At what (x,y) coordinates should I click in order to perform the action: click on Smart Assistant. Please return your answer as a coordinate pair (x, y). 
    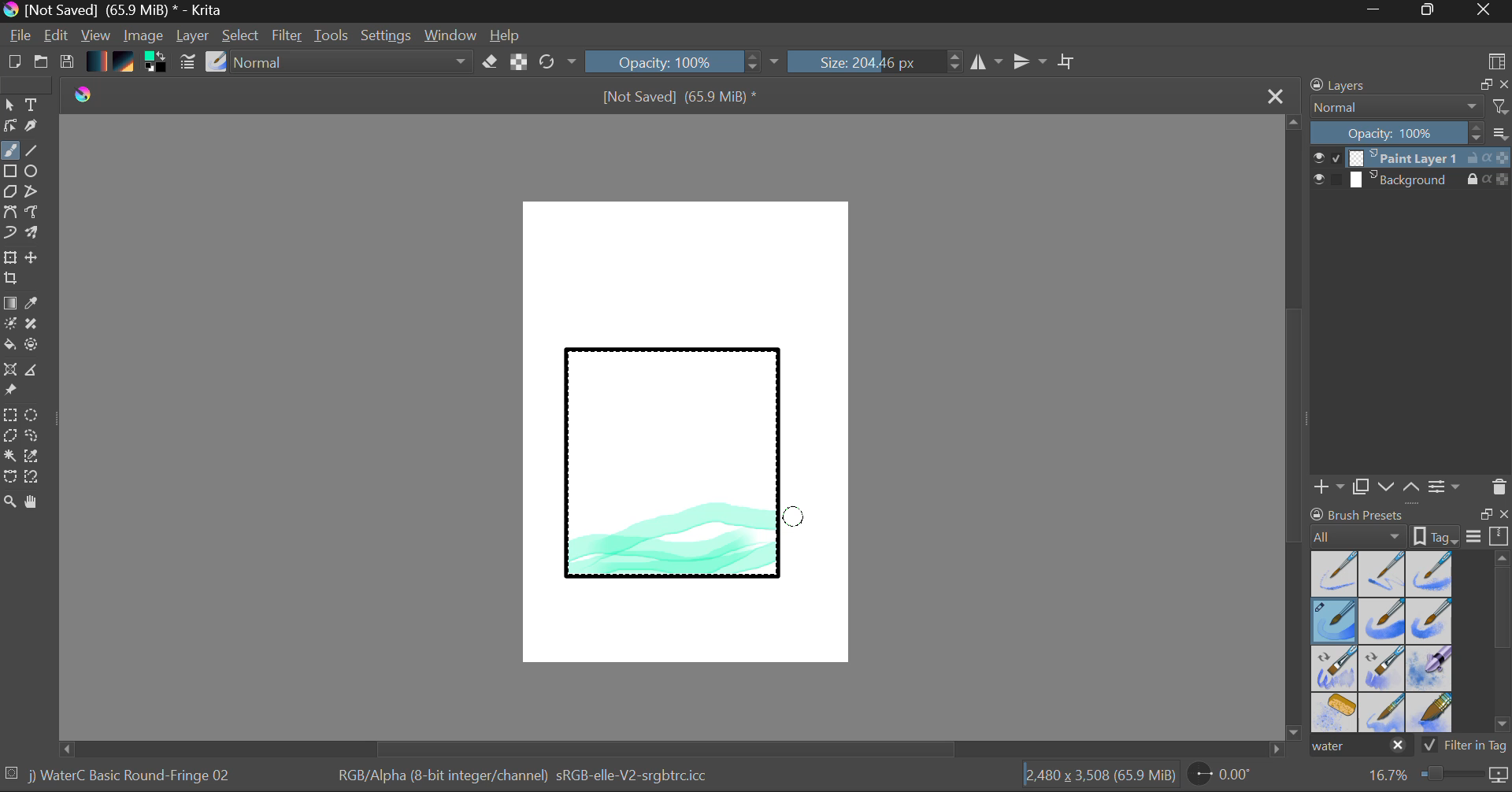
    Looking at the image, I should click on (9, 372).